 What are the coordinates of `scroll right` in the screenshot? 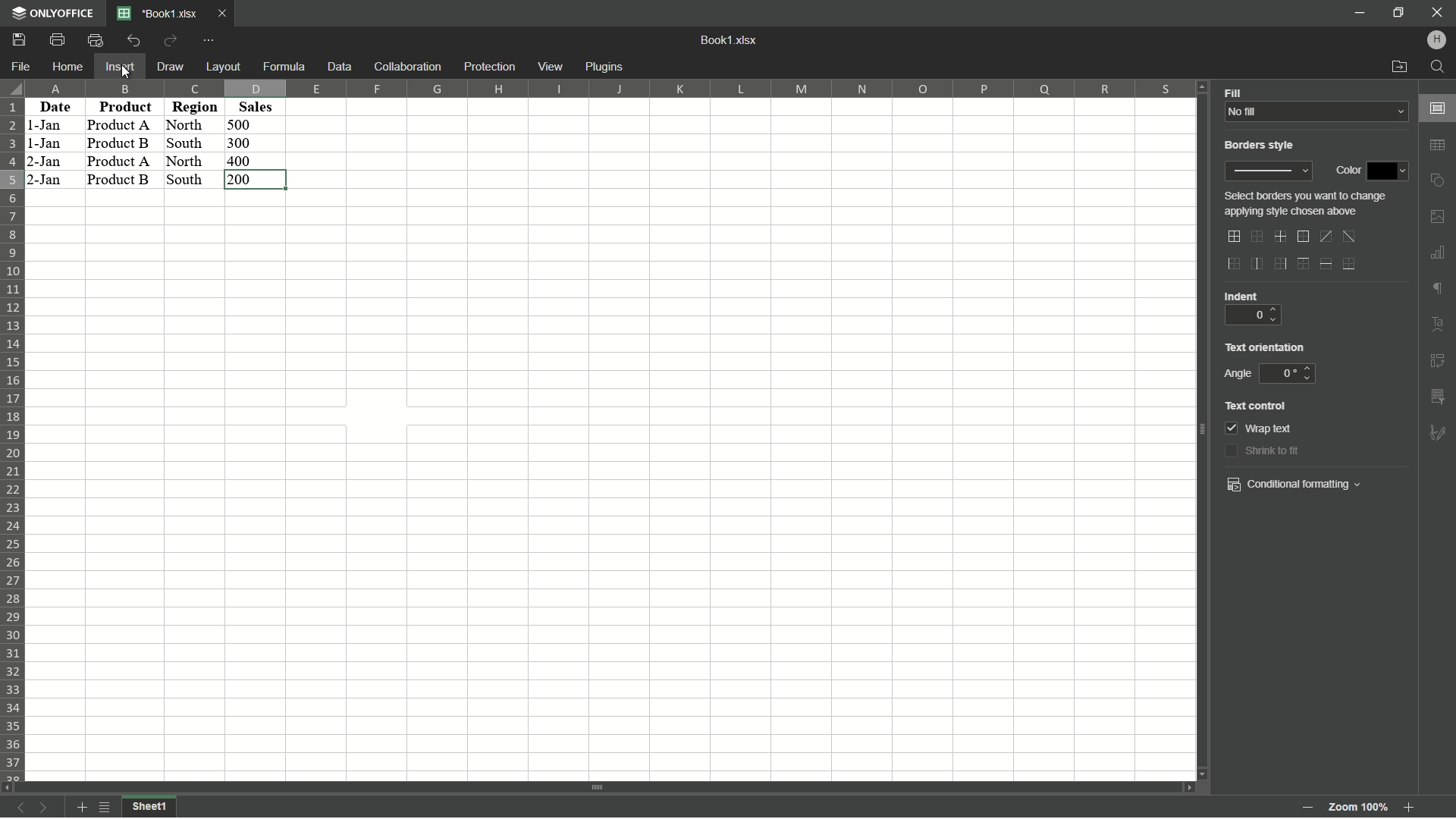 It's located at (1183, 787).